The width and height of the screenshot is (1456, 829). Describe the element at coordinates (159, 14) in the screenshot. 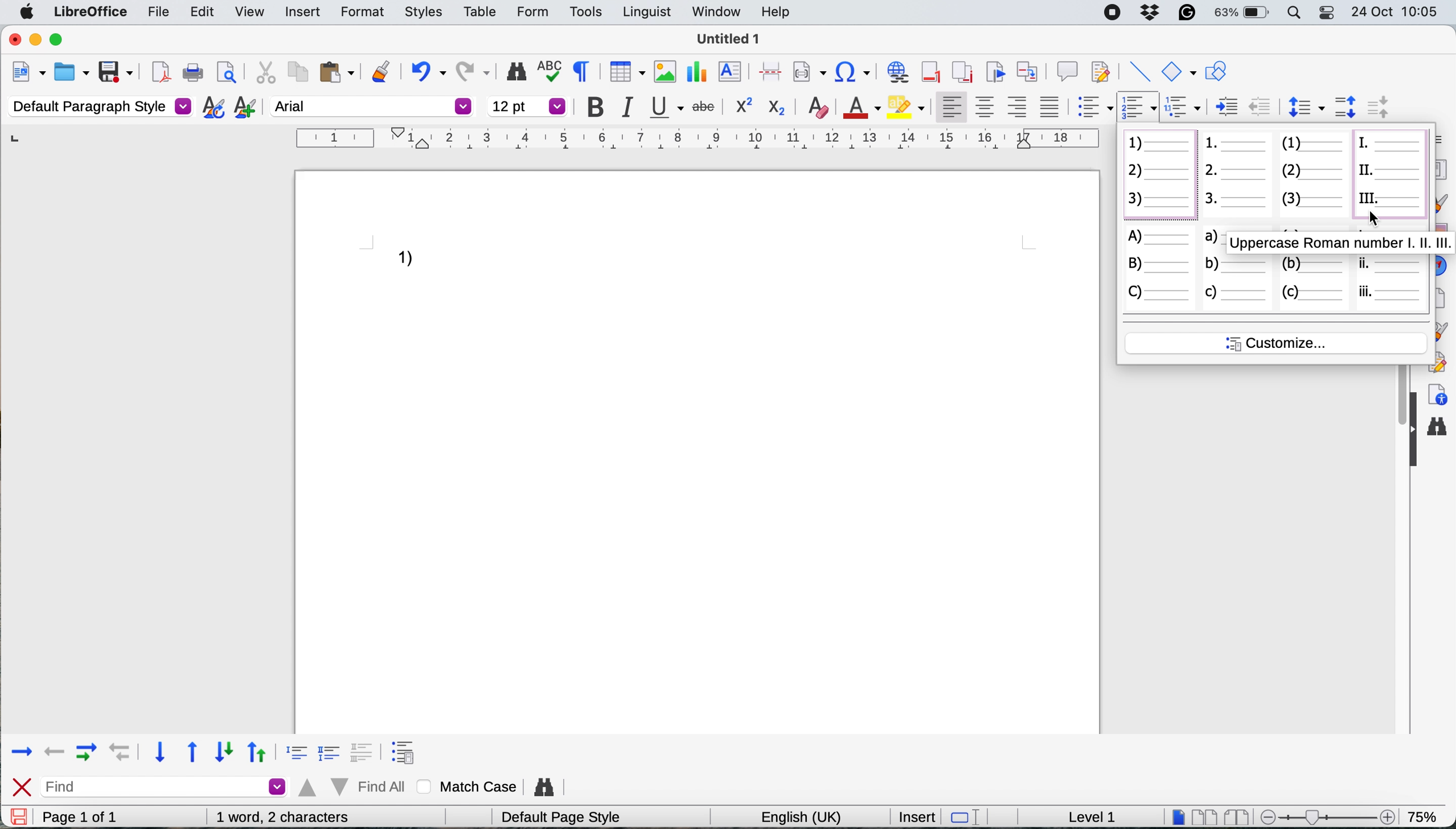

I see `file` at that location.